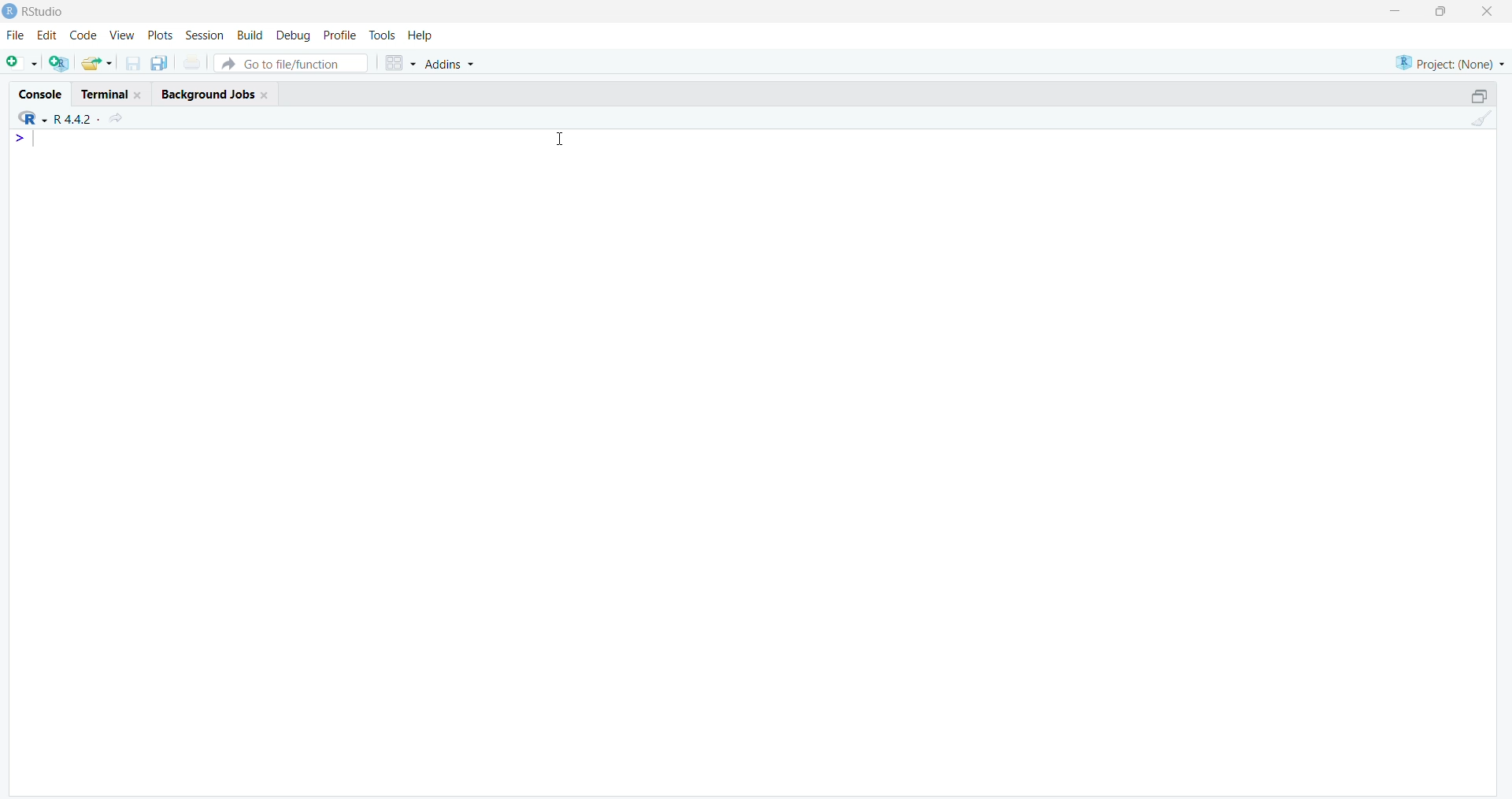  Describe the element at coordinates (42, 91) in the screenshot. I see `Console` at that location.